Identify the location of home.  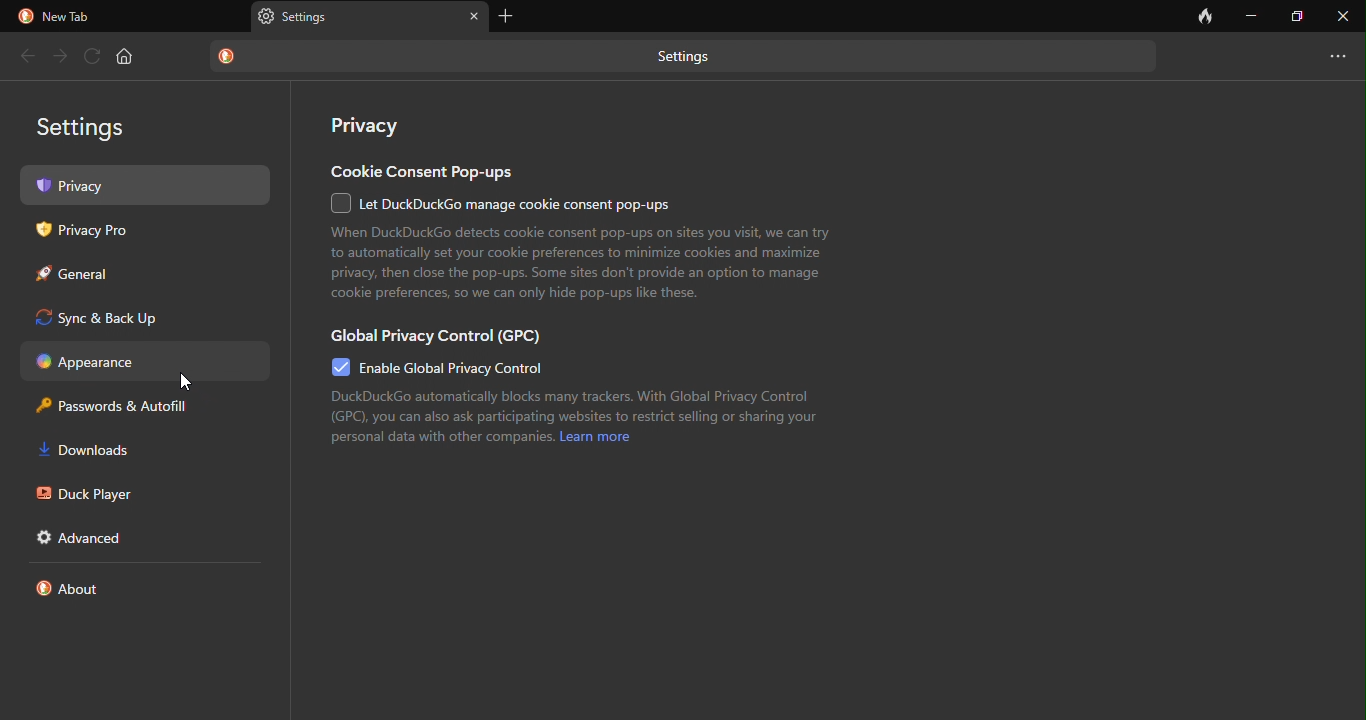
(127, 56).